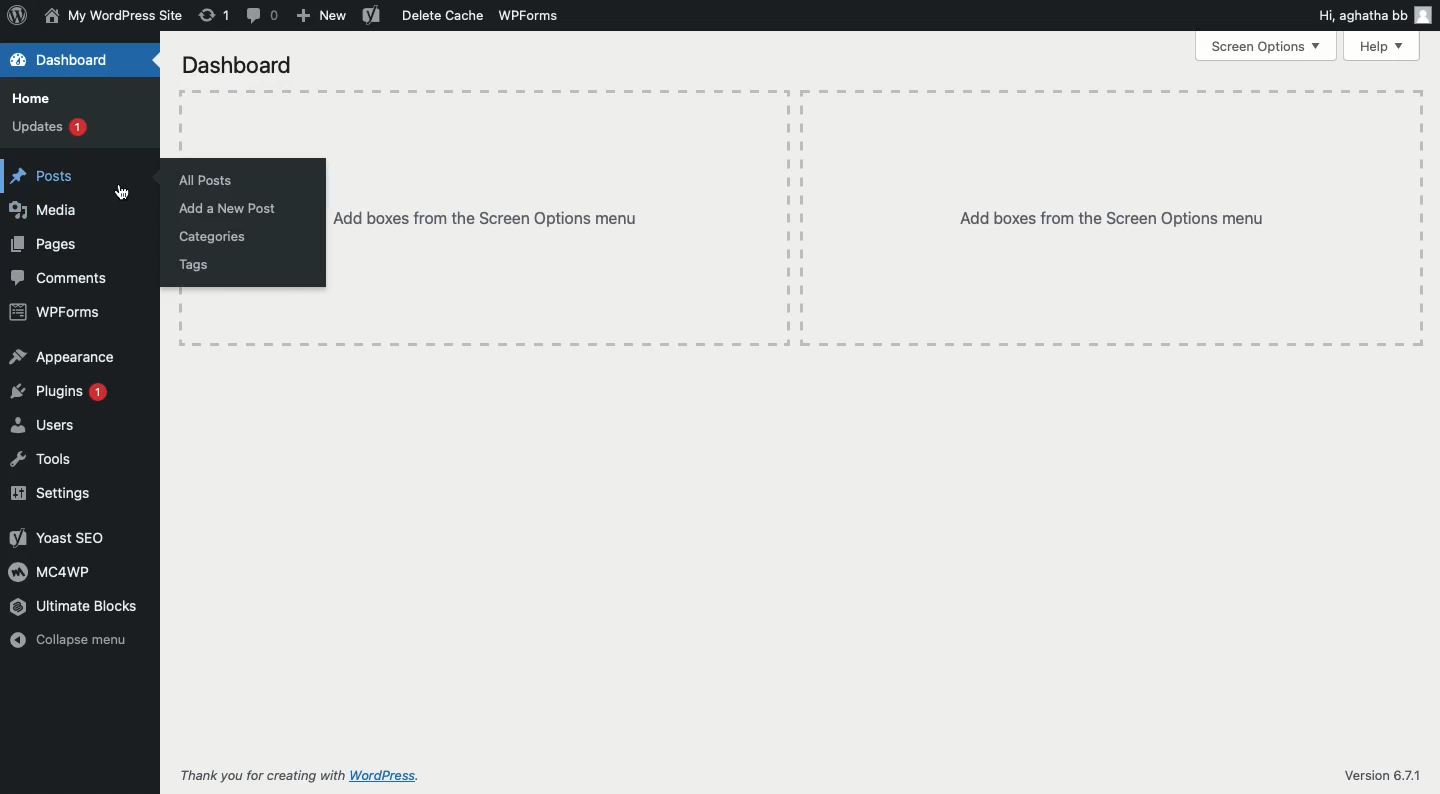 The image size is (1440, 794). What do you see at coordinates (215, 17) in the screenshot?
I see `Revision` at bounding box center [215, 17].